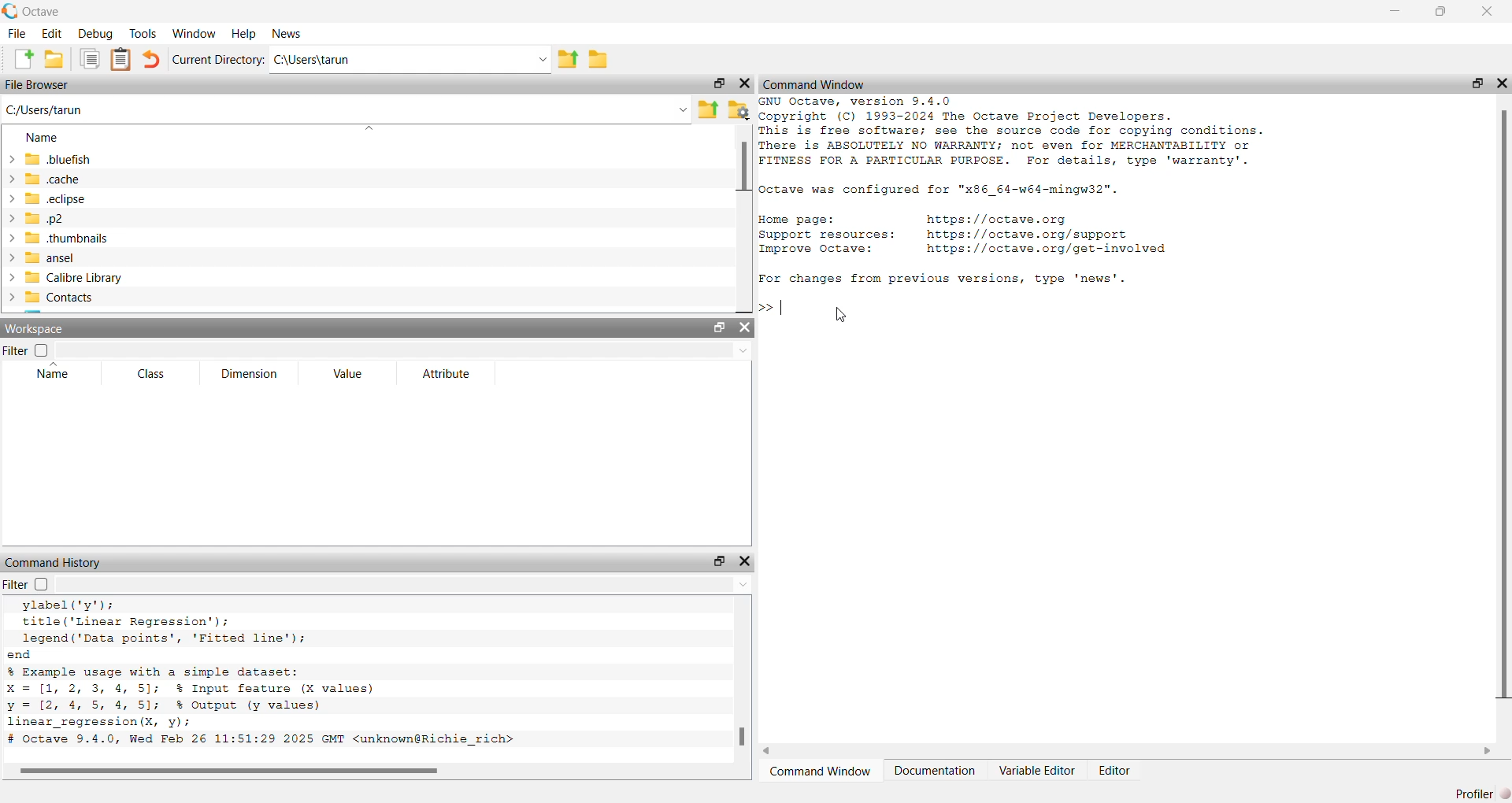  What do you see at coordinates (742, 735) in the screenshot?
I see `scrollbar` at bounding box center [742, 735].